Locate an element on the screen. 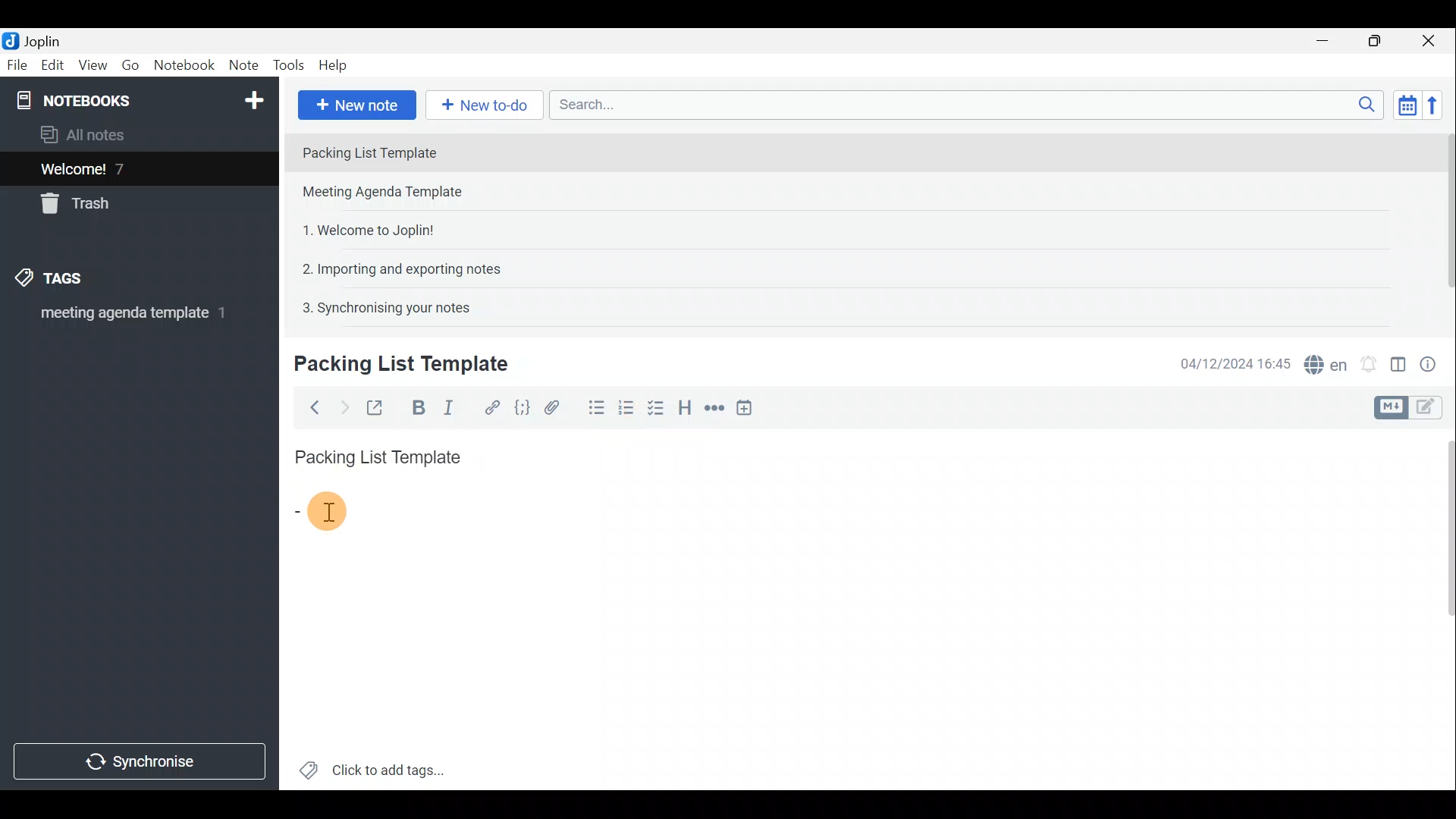 The width and height of the screenshot is (1456, 819). Cursor is located at coordinates (317, 509).